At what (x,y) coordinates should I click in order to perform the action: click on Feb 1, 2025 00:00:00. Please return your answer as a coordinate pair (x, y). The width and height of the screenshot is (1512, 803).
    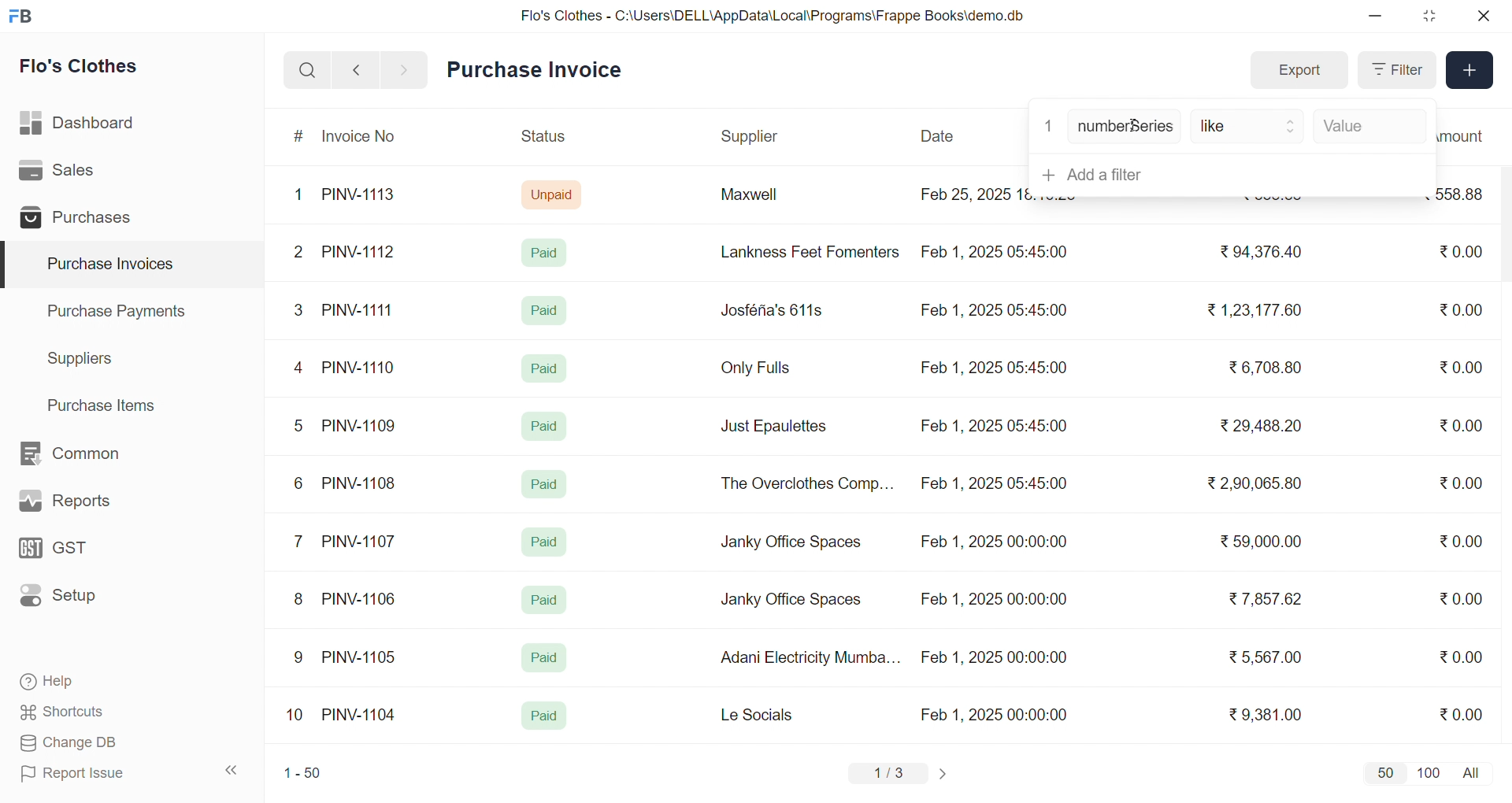
    Looking at the image, I should click on (994, 657).